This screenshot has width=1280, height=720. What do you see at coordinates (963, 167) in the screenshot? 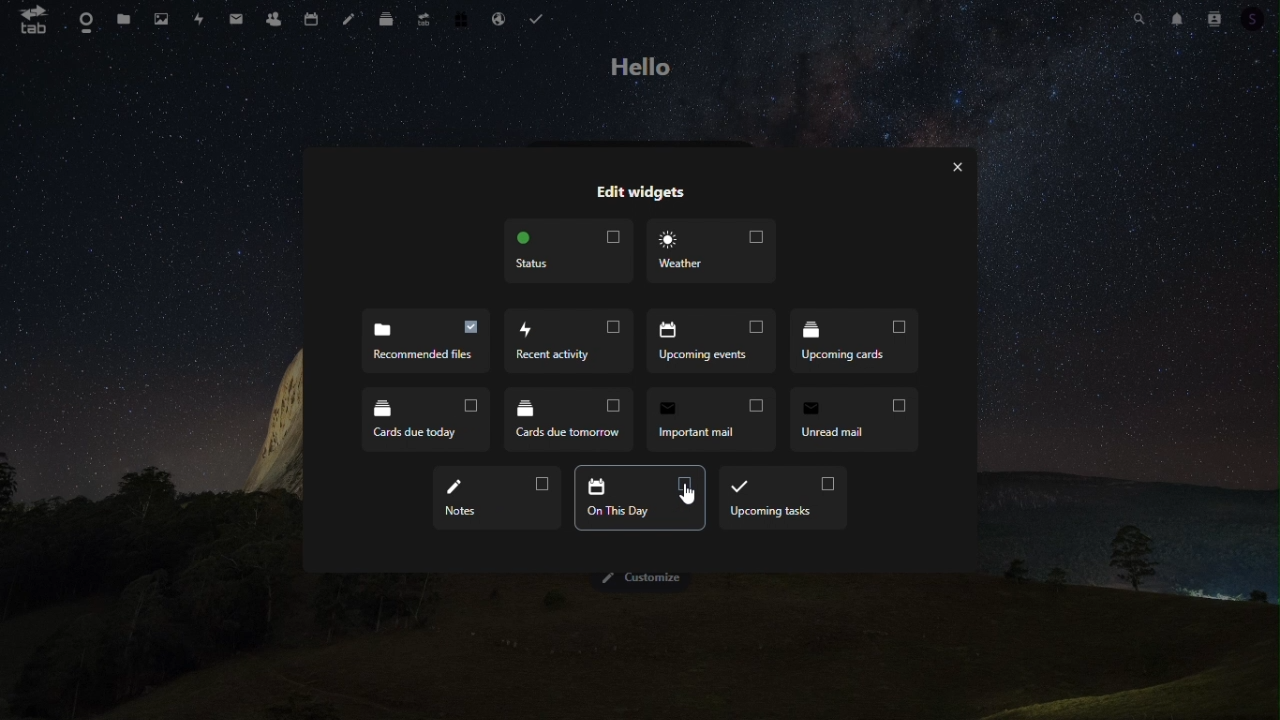
I see `close` at bounding box center [963, 167].